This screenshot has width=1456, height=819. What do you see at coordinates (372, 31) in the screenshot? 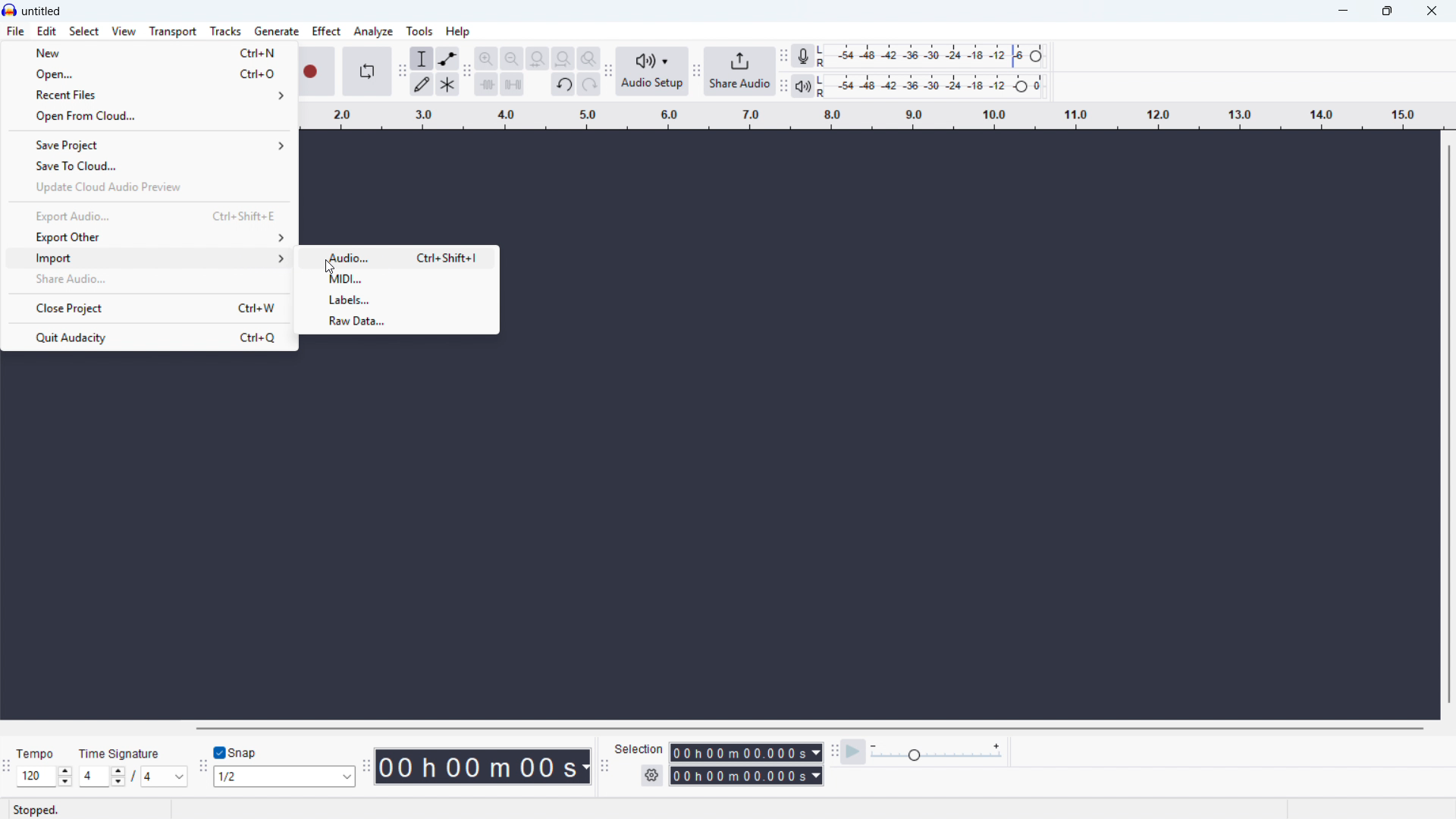
I see `Analyse ` at bounding box center [372, 31].